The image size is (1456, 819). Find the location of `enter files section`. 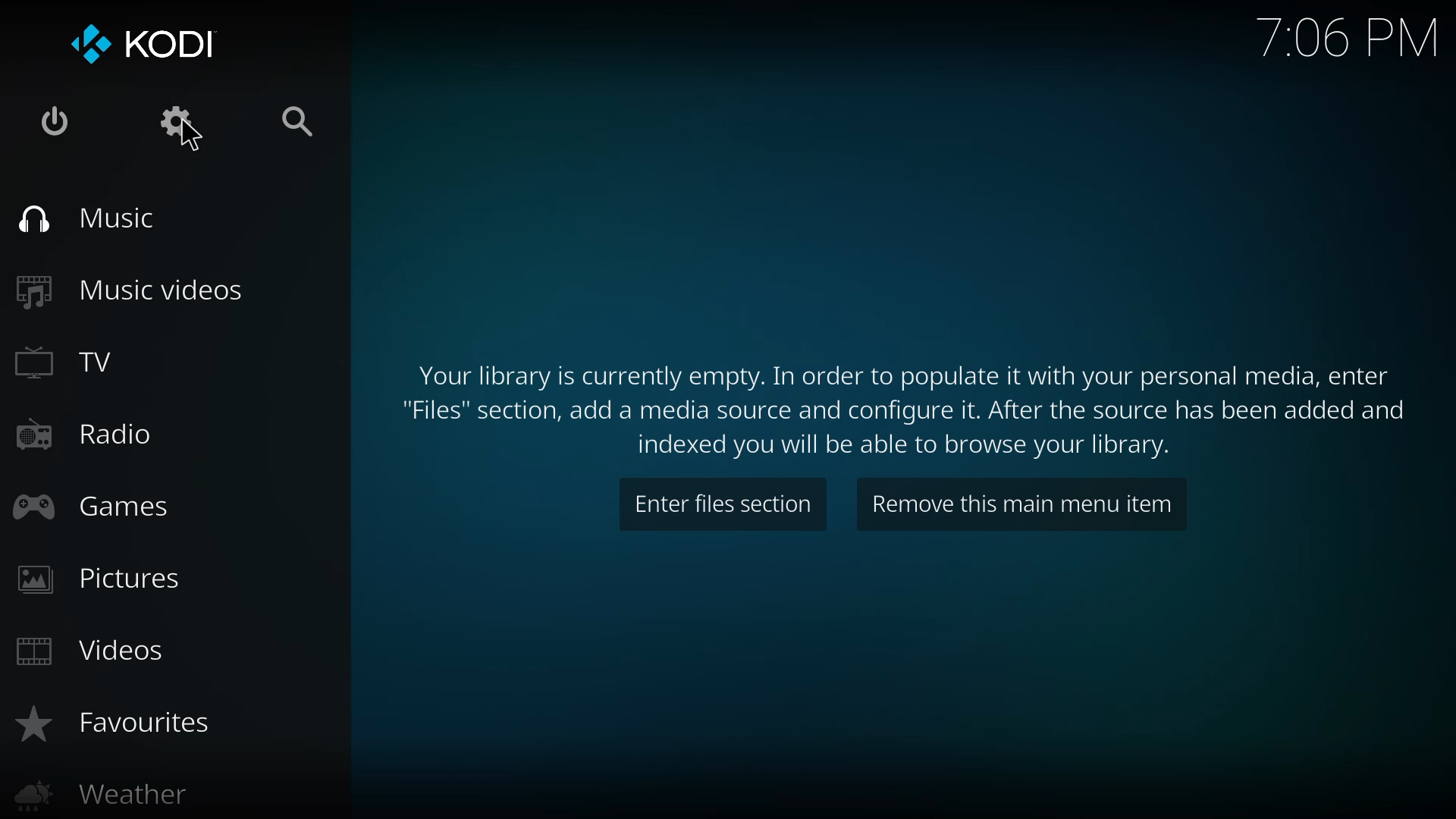

enter files section is located at coordinates (726, 504).